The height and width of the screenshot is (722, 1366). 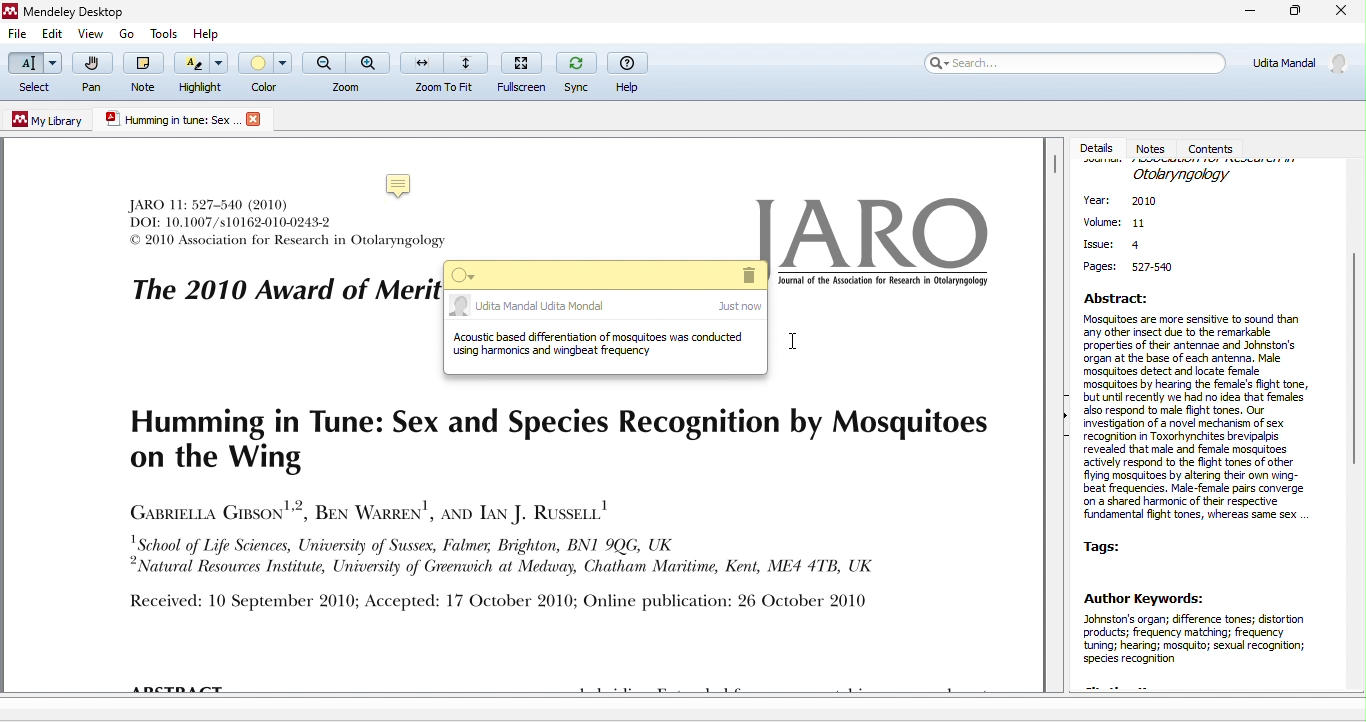 I want to click on note, so click(x=140, y=71).